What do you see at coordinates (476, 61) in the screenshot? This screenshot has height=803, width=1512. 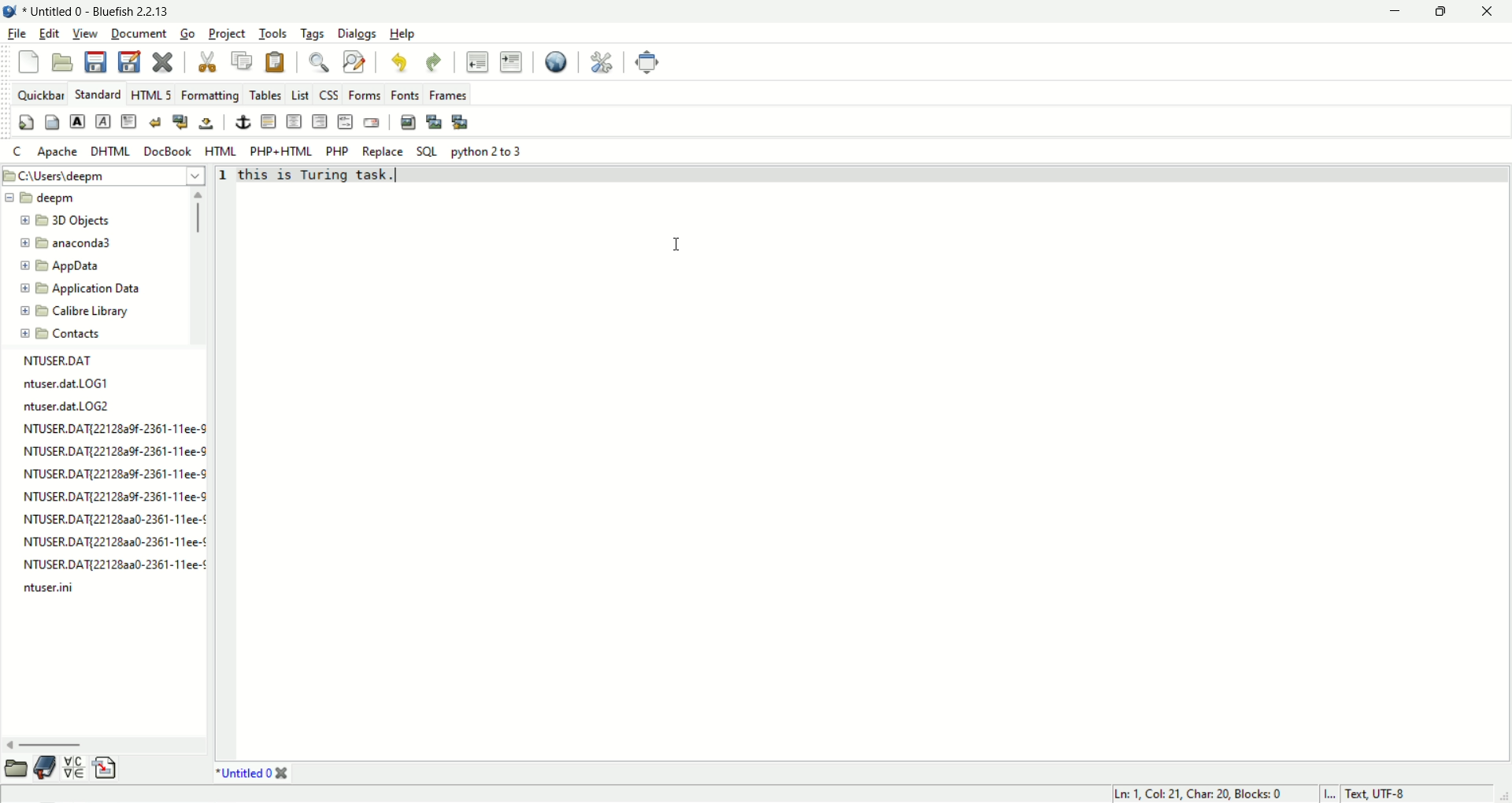 I see `unident` at bounding box center [476, 61].